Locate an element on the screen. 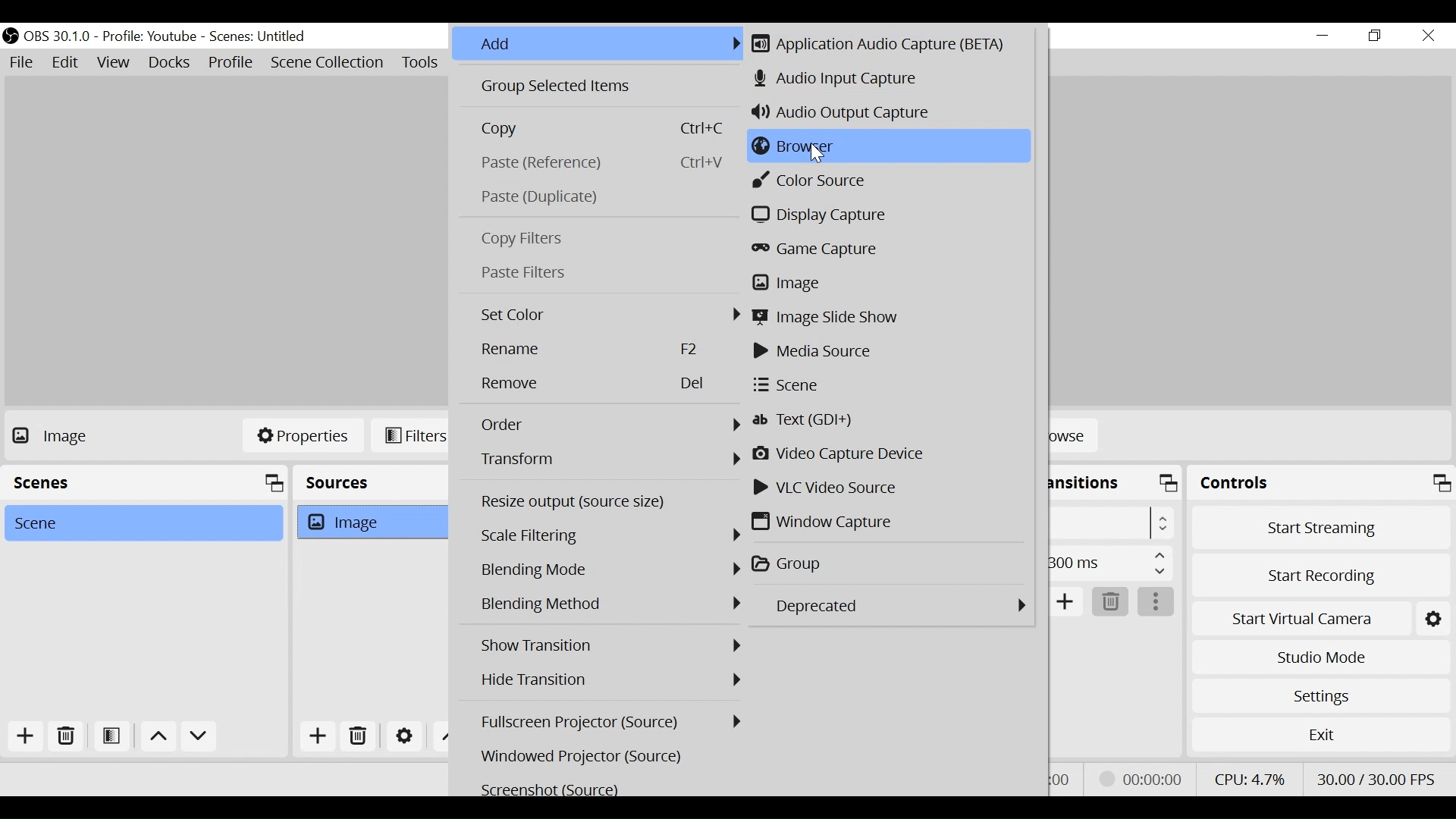 This screenshot has width=1456, height=819. minimize is located at coordinates (1322, 36).